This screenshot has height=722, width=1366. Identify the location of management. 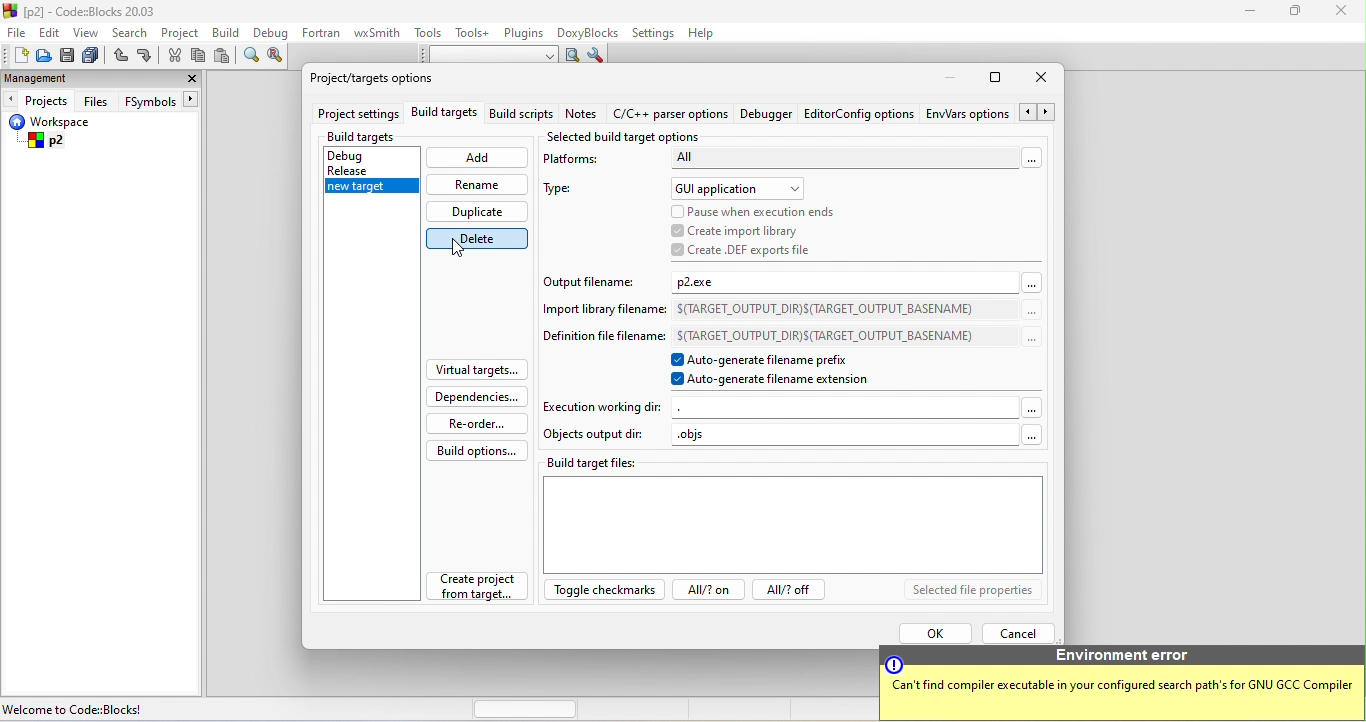
(36, 78).